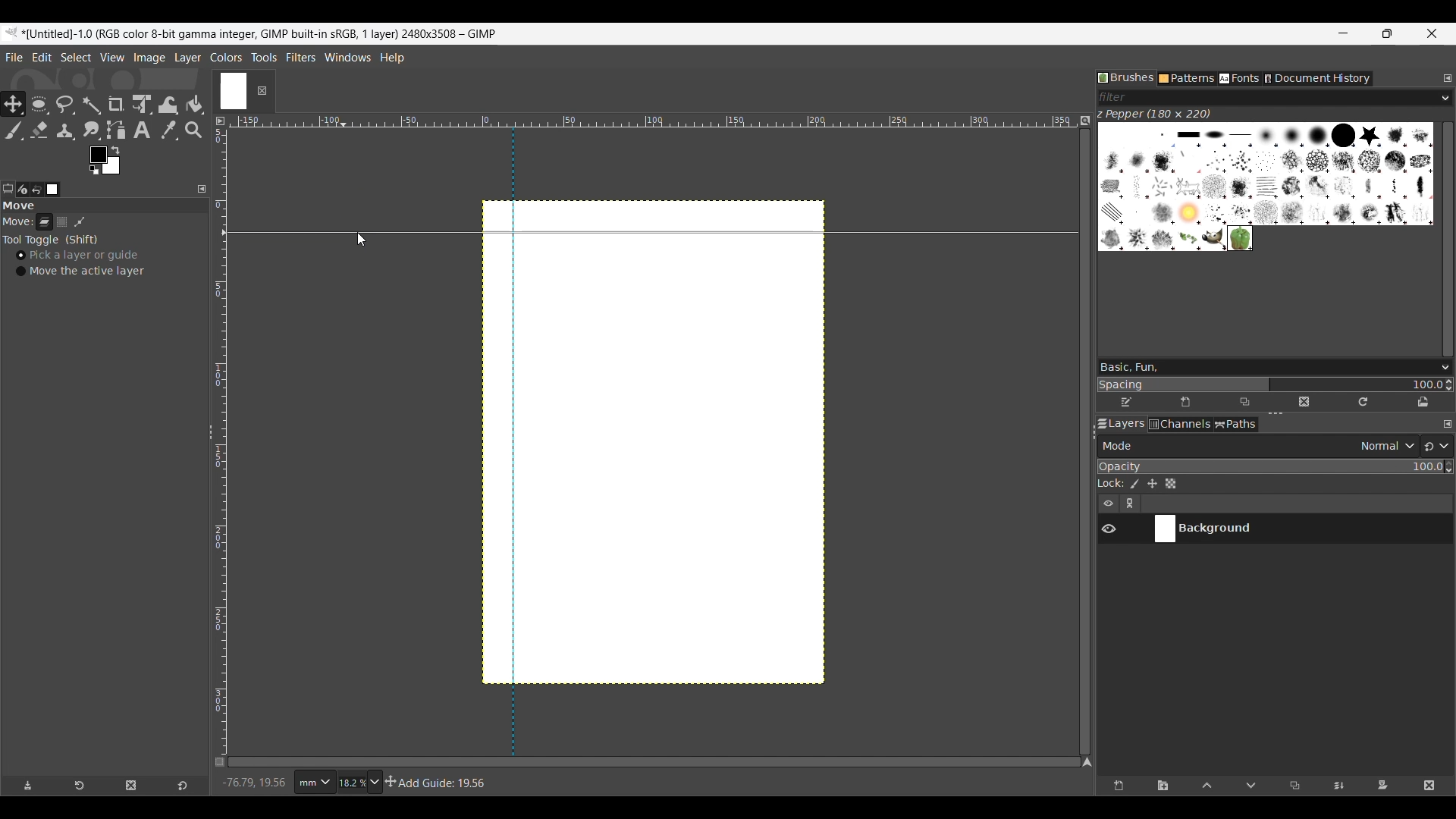 This screenshot has height=819, width=1456. Describe the element at coordinates (1429, 786) in the screenshot. I see `Delete layer` at that location.